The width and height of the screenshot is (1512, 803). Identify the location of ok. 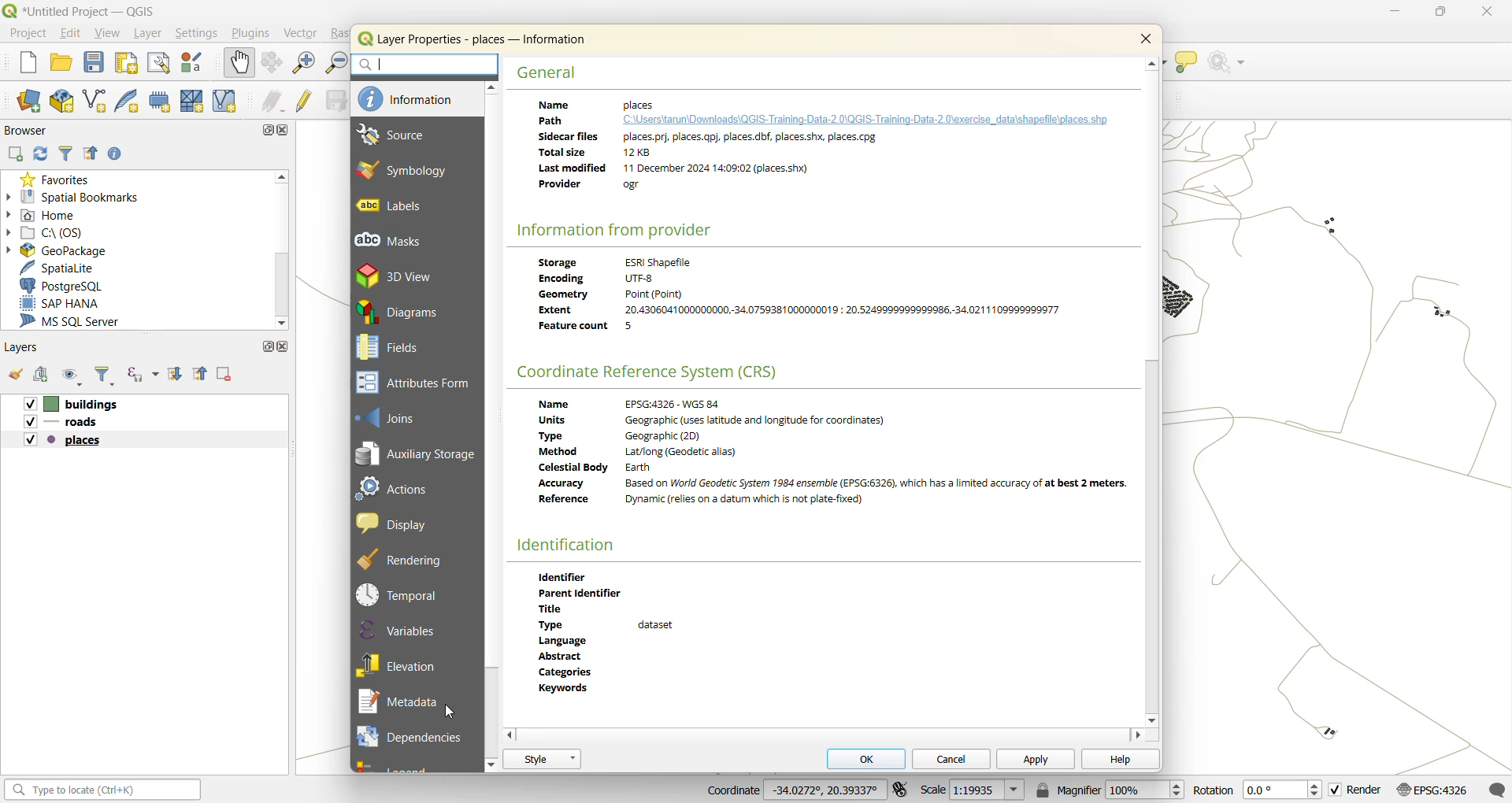
(869, 757).